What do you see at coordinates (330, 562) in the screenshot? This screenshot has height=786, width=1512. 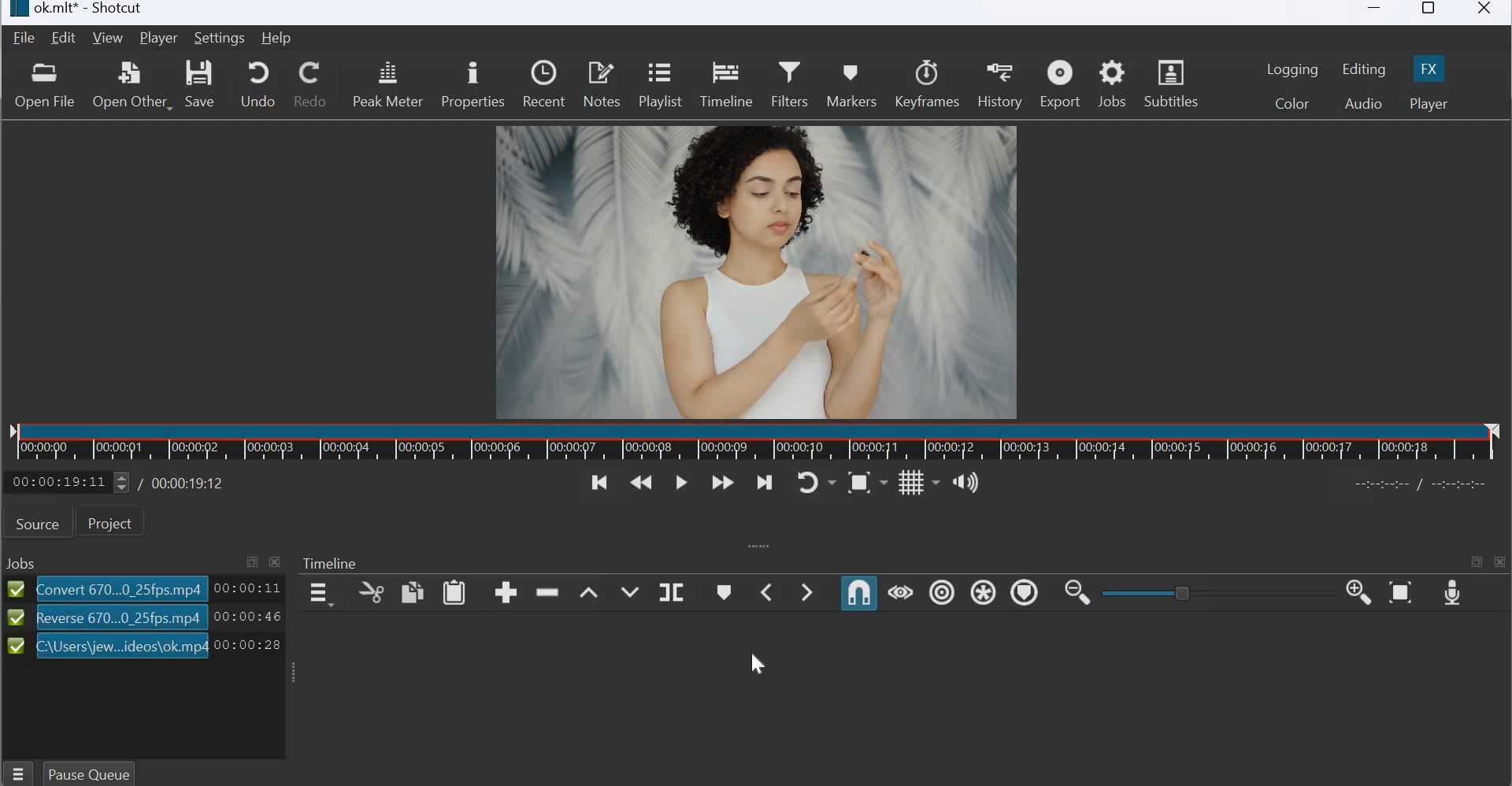 I see `Timeline` at bounding box center [330, 562].